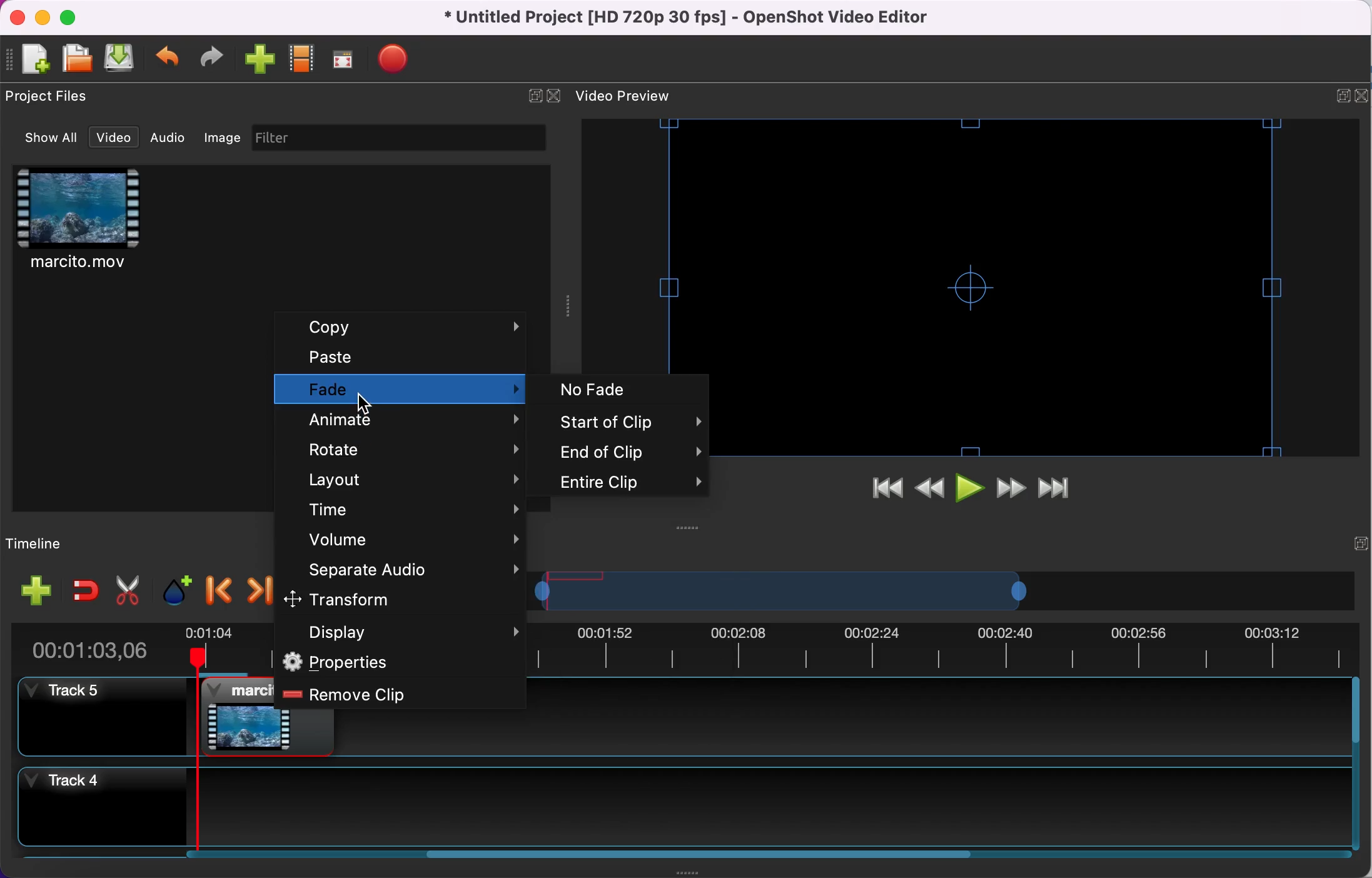 The width and height of the screenshot is (1372, 878). I want to click on jump to start, so click(890, 490).